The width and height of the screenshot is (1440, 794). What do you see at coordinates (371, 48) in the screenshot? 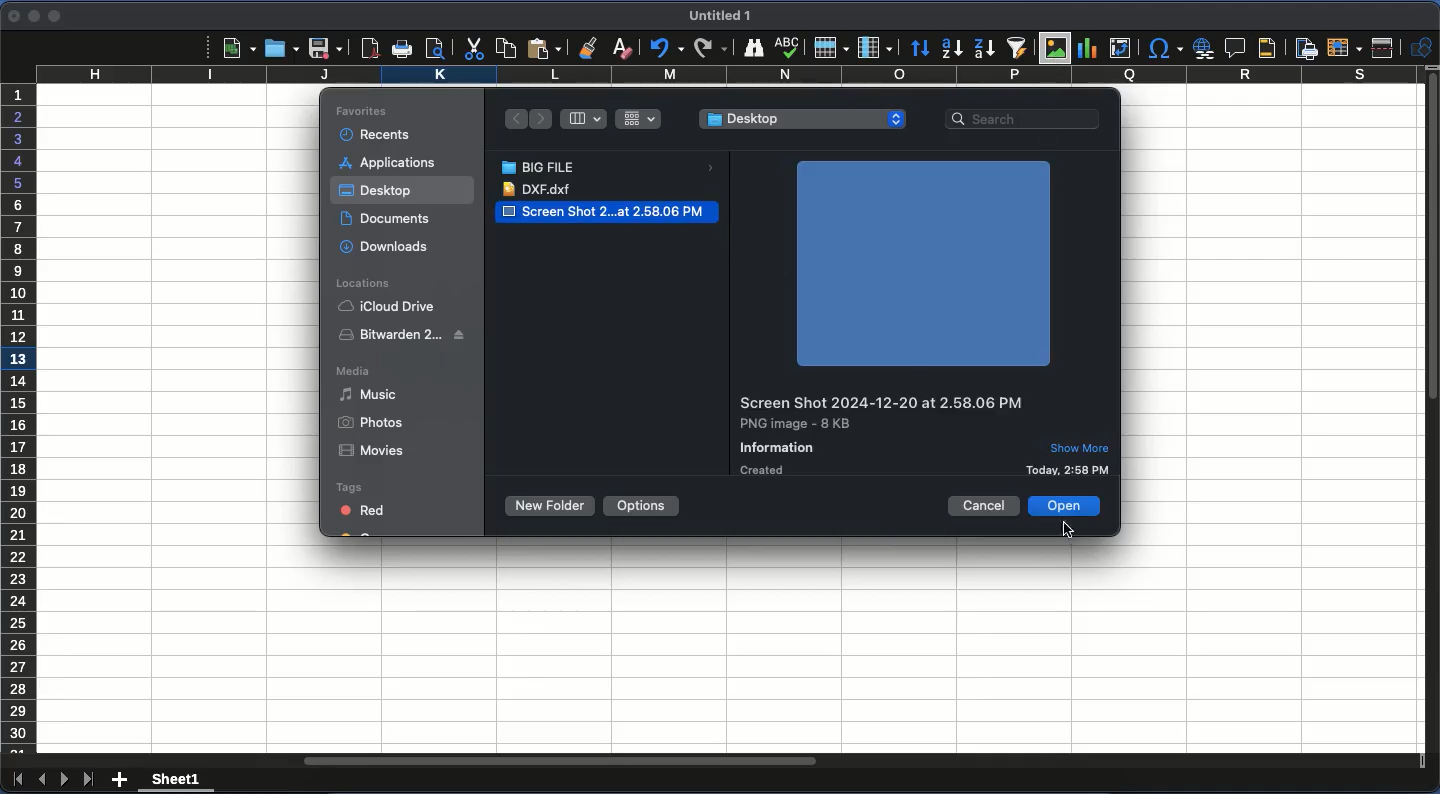
I see `pdf` at bounding box center [371, 48].